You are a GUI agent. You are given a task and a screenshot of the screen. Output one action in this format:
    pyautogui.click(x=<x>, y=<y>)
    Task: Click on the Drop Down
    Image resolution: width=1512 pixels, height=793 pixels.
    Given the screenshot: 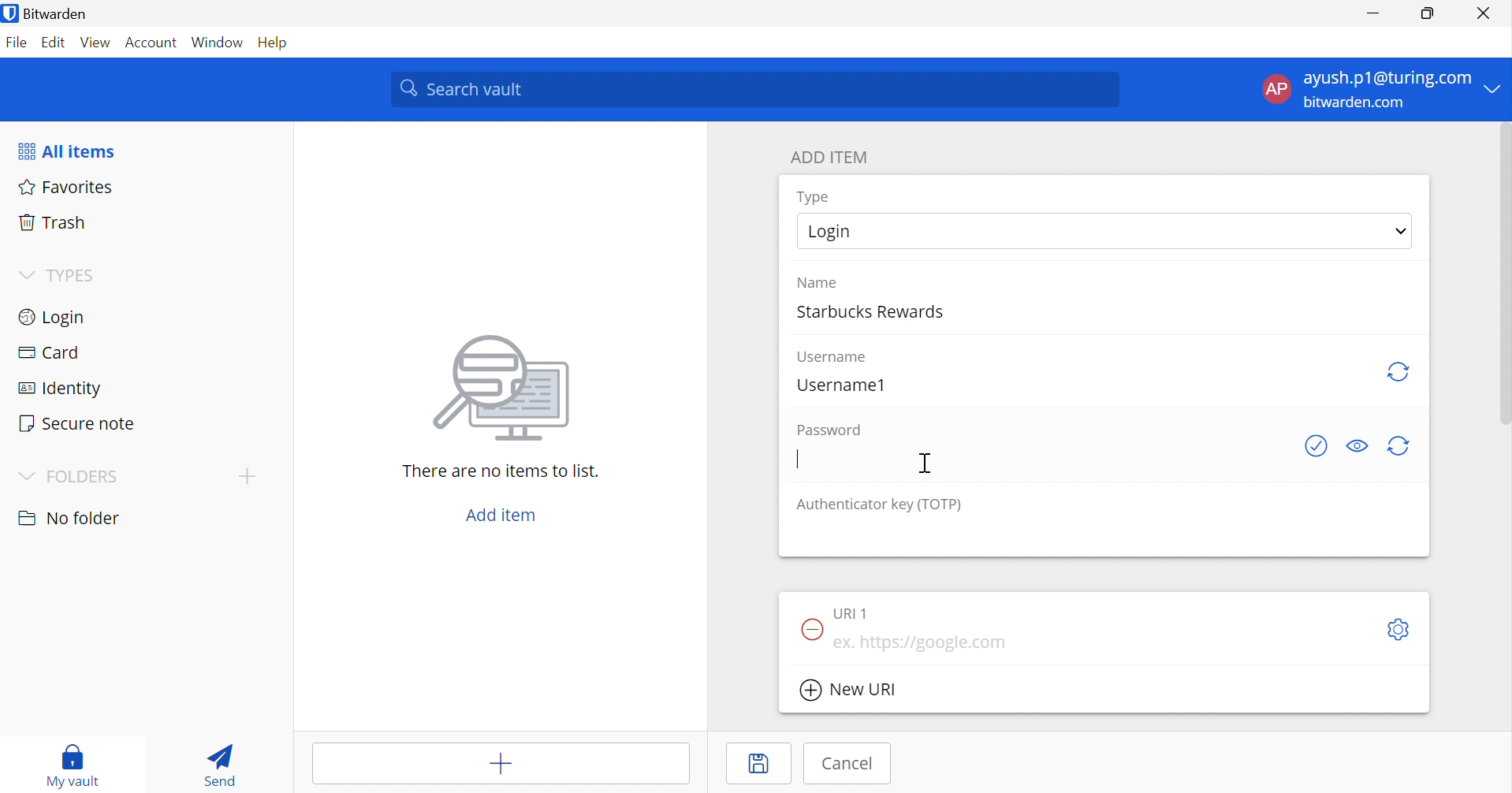 What is the action you would take?
    pyautogui.click(x=28, y=276)
    